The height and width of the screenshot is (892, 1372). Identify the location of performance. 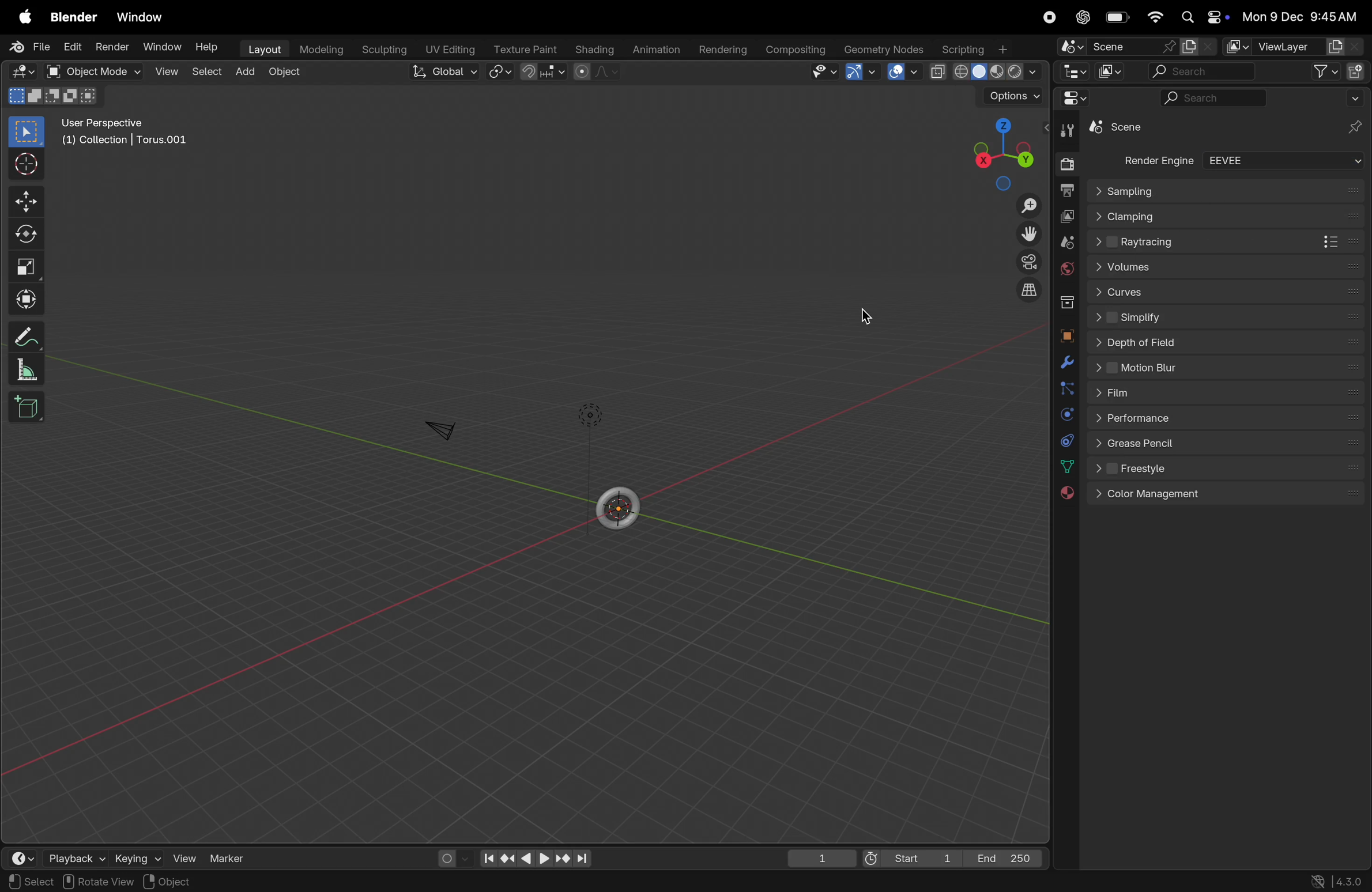
(1228, 422).